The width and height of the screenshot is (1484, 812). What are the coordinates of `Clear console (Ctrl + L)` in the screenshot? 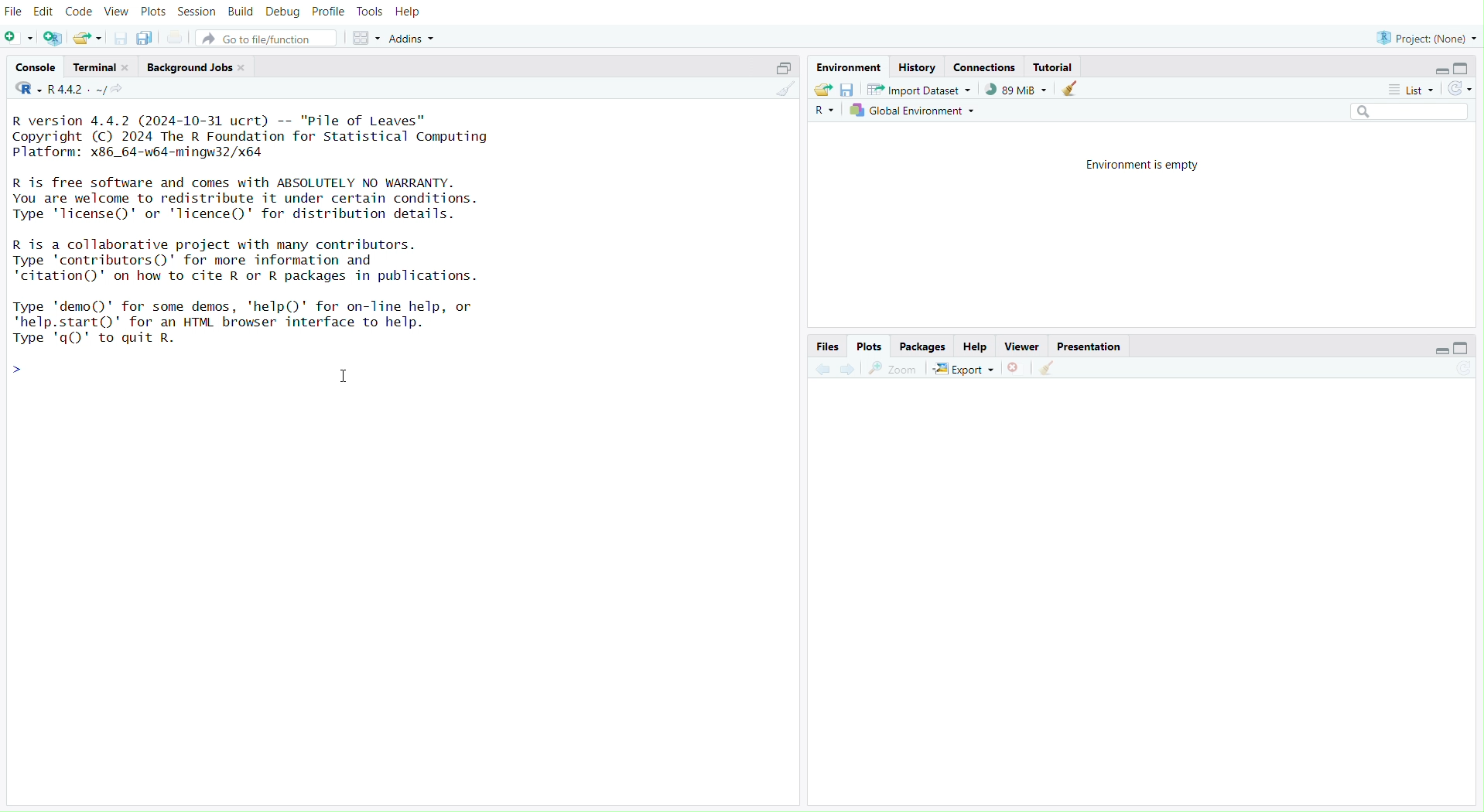 It's located at (1072, 87).